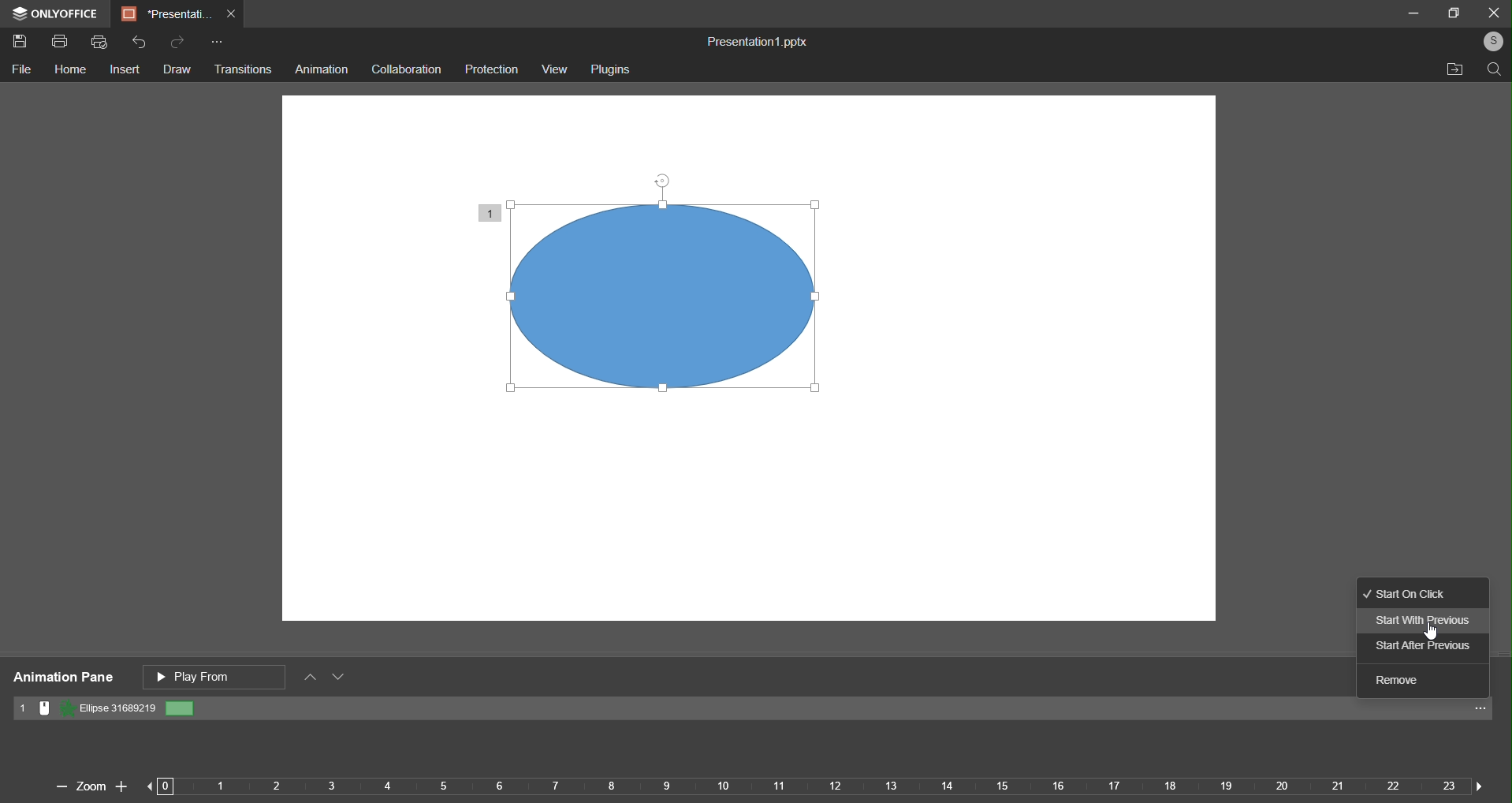 Image resolution: width=1512 pixels, height=803 pixels. What do you see at coordinates (817, 787) in the screenshot?
I see `Timeline` at bounding box center [817, 787].